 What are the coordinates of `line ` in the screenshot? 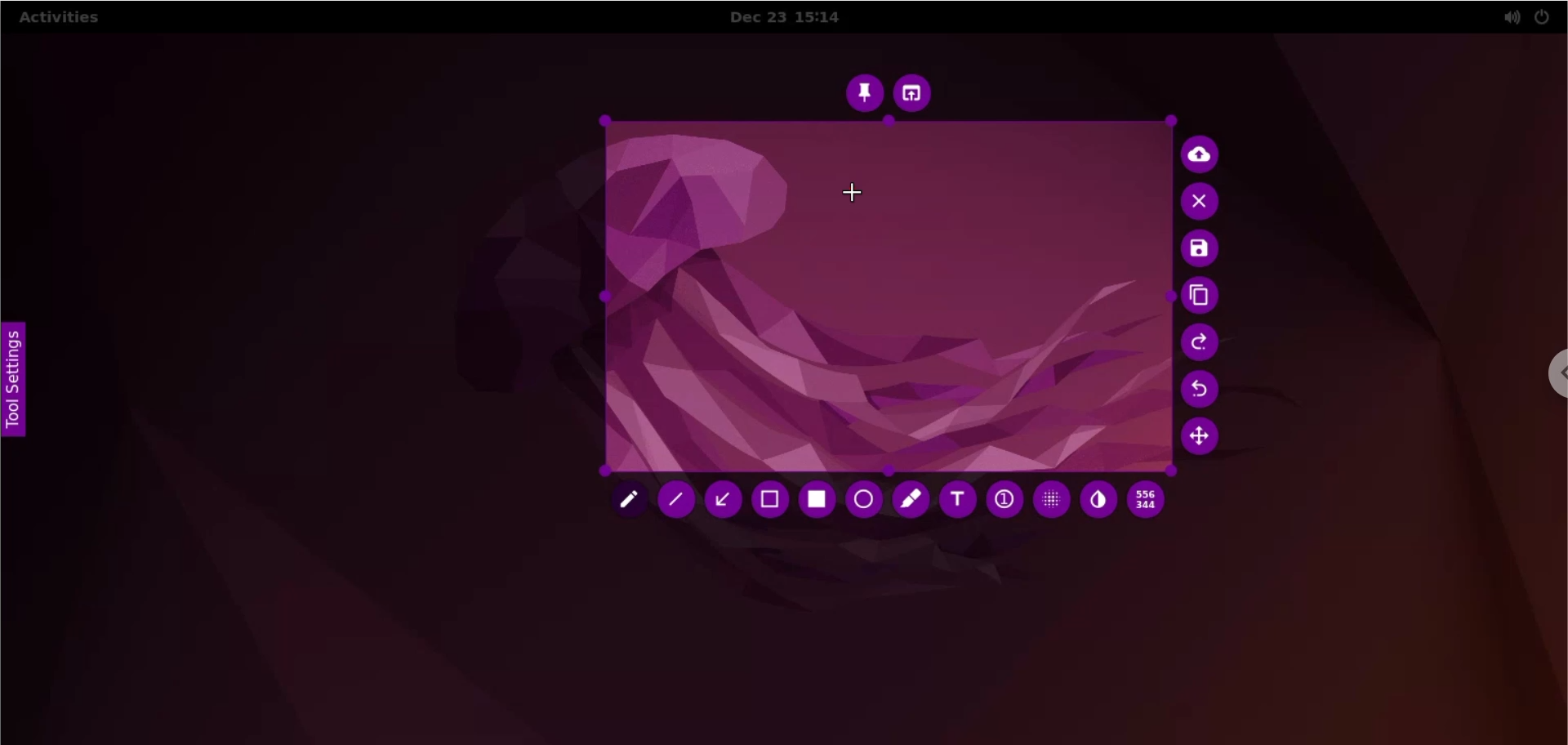 It's located at (675, 500).